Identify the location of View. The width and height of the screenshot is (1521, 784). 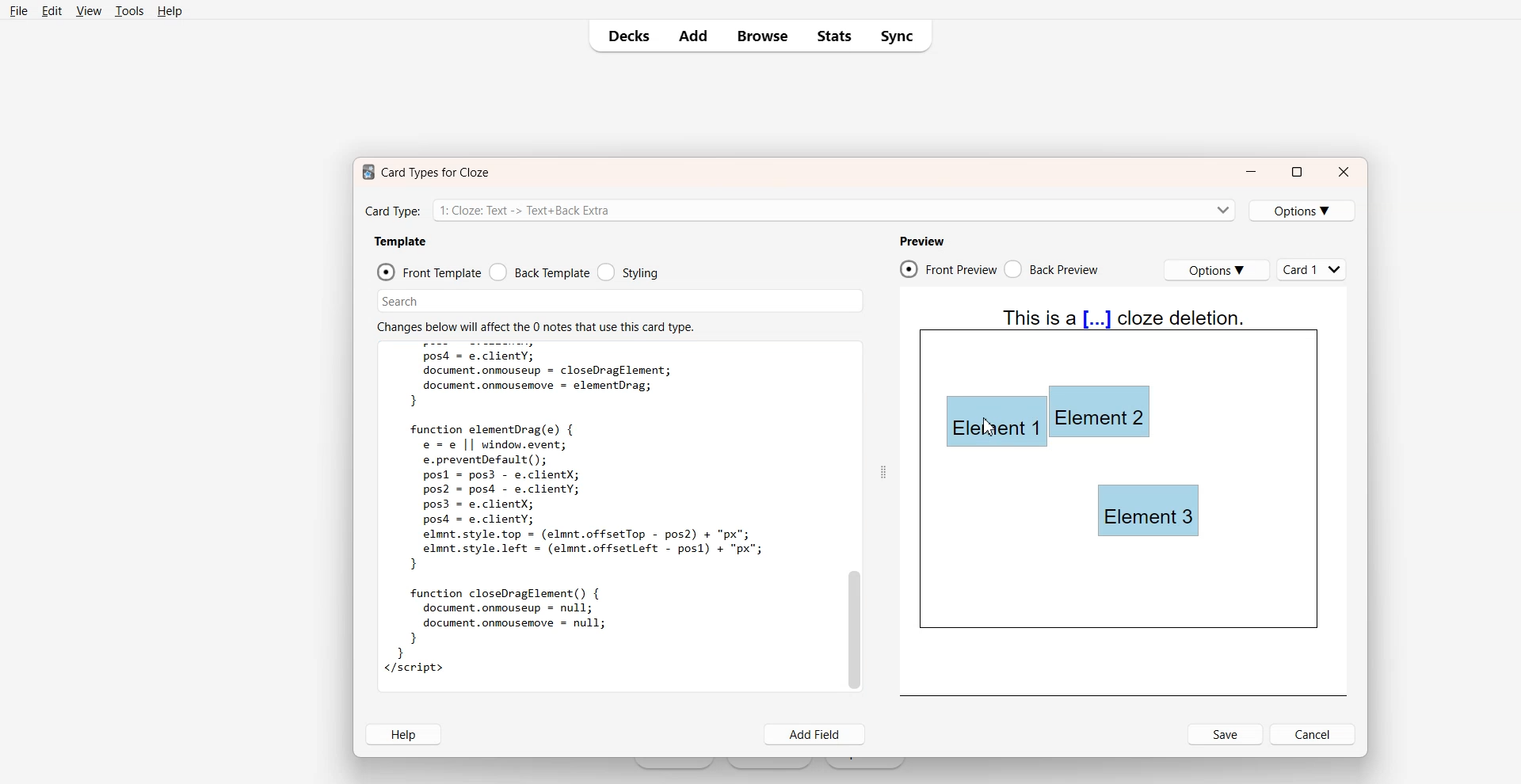
(88, 10).